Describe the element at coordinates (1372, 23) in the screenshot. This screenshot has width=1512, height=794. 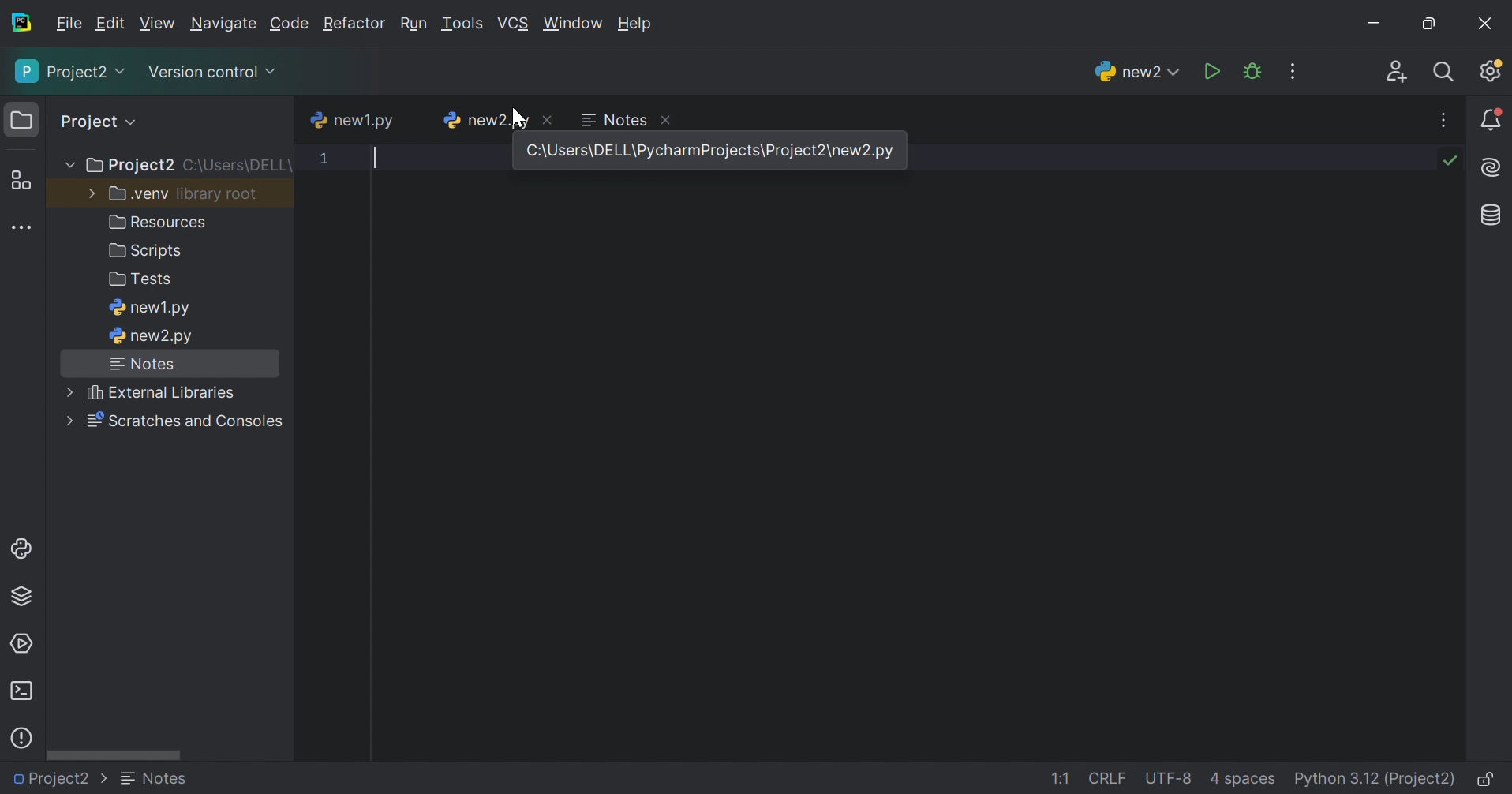
I see `Minimize` at that location.